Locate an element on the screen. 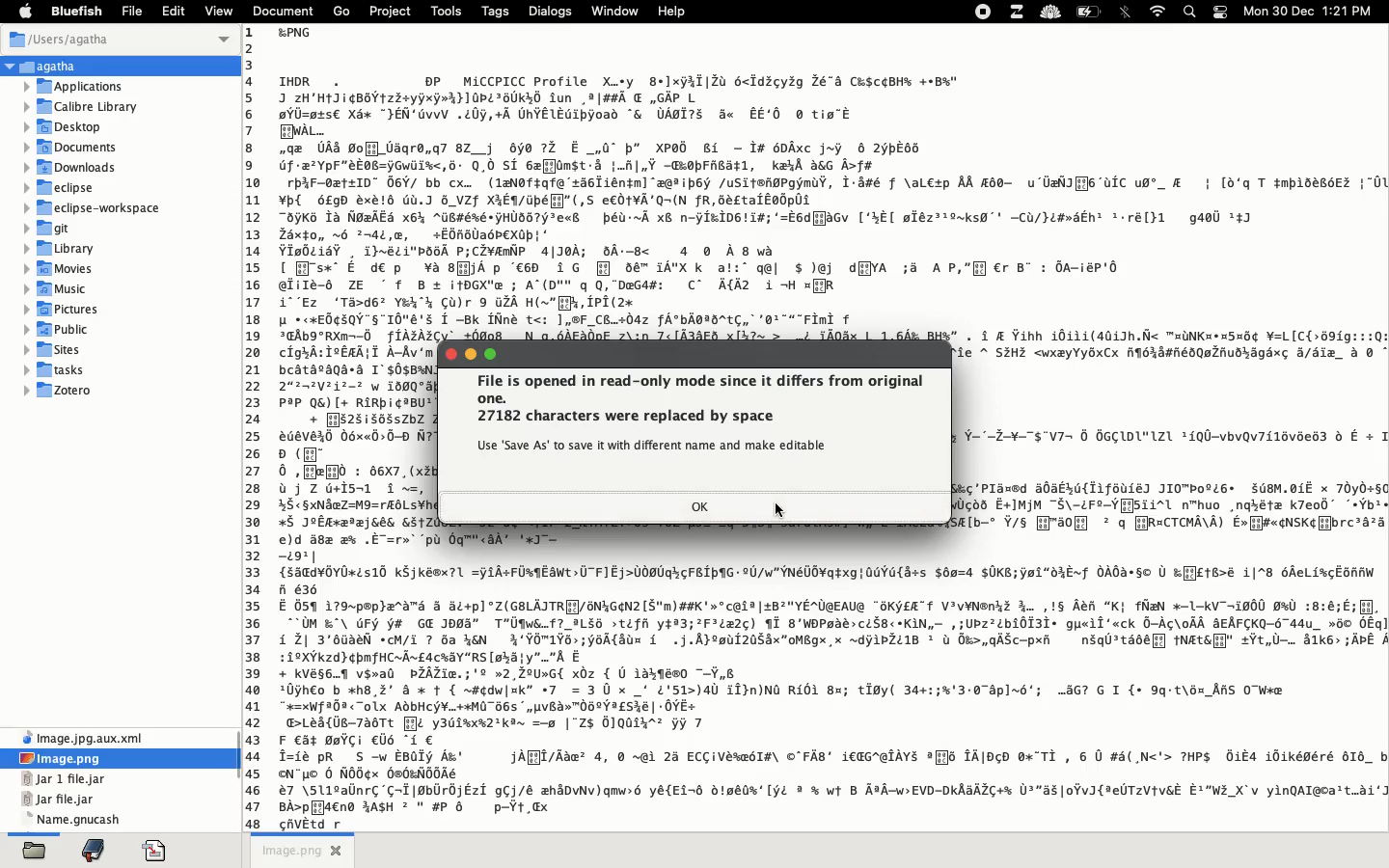  notification is located at coordinates (1222, 11).